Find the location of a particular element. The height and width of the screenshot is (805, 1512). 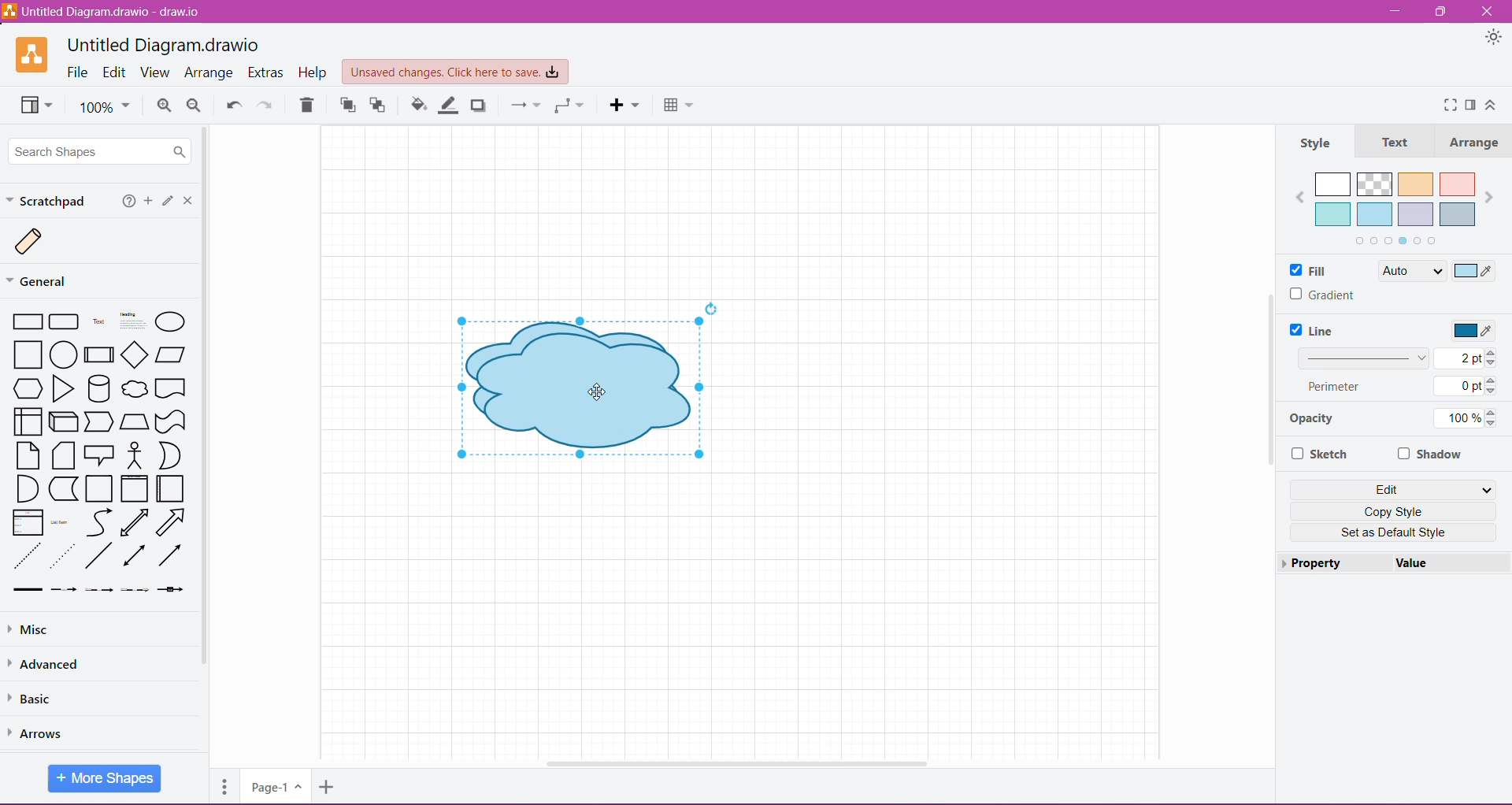

Style is located at coordinates (1317, 144).